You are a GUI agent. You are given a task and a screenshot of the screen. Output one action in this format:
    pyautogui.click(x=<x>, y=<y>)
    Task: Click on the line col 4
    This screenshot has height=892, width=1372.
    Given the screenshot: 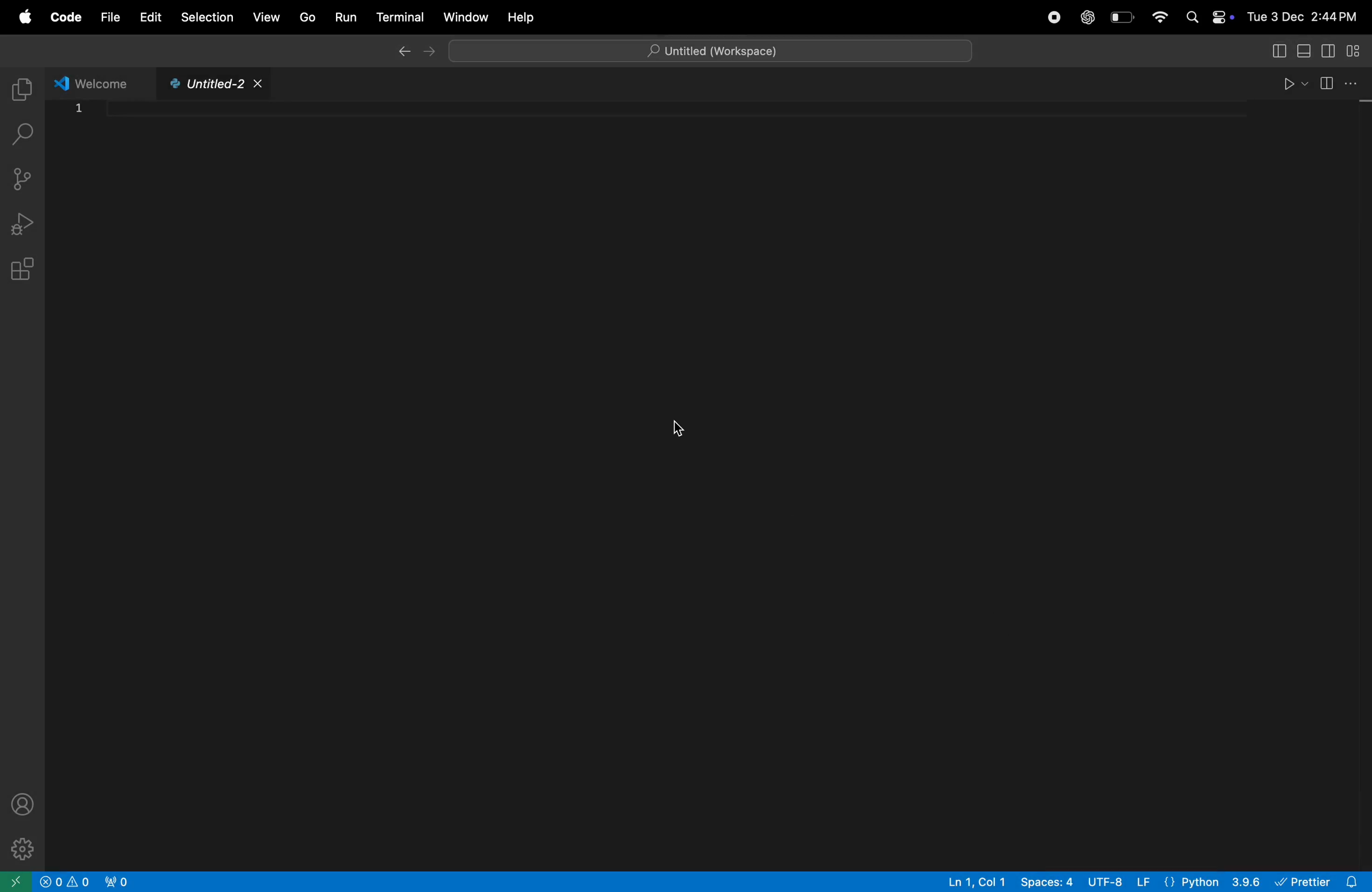 What is the action you would take?
    pyautogui.click(x=979, y=882)
    